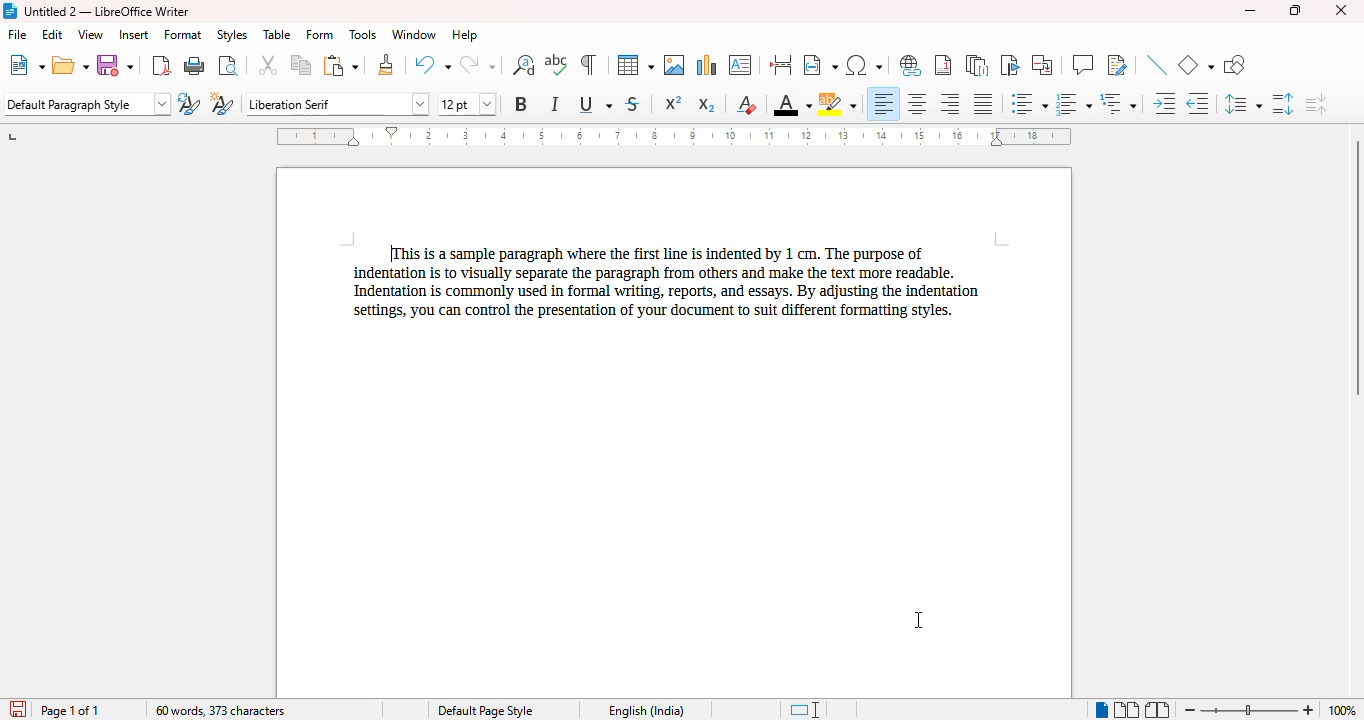  Describe the element at coordinates (792, 104) in the screenshot. I see `font color` at that location.